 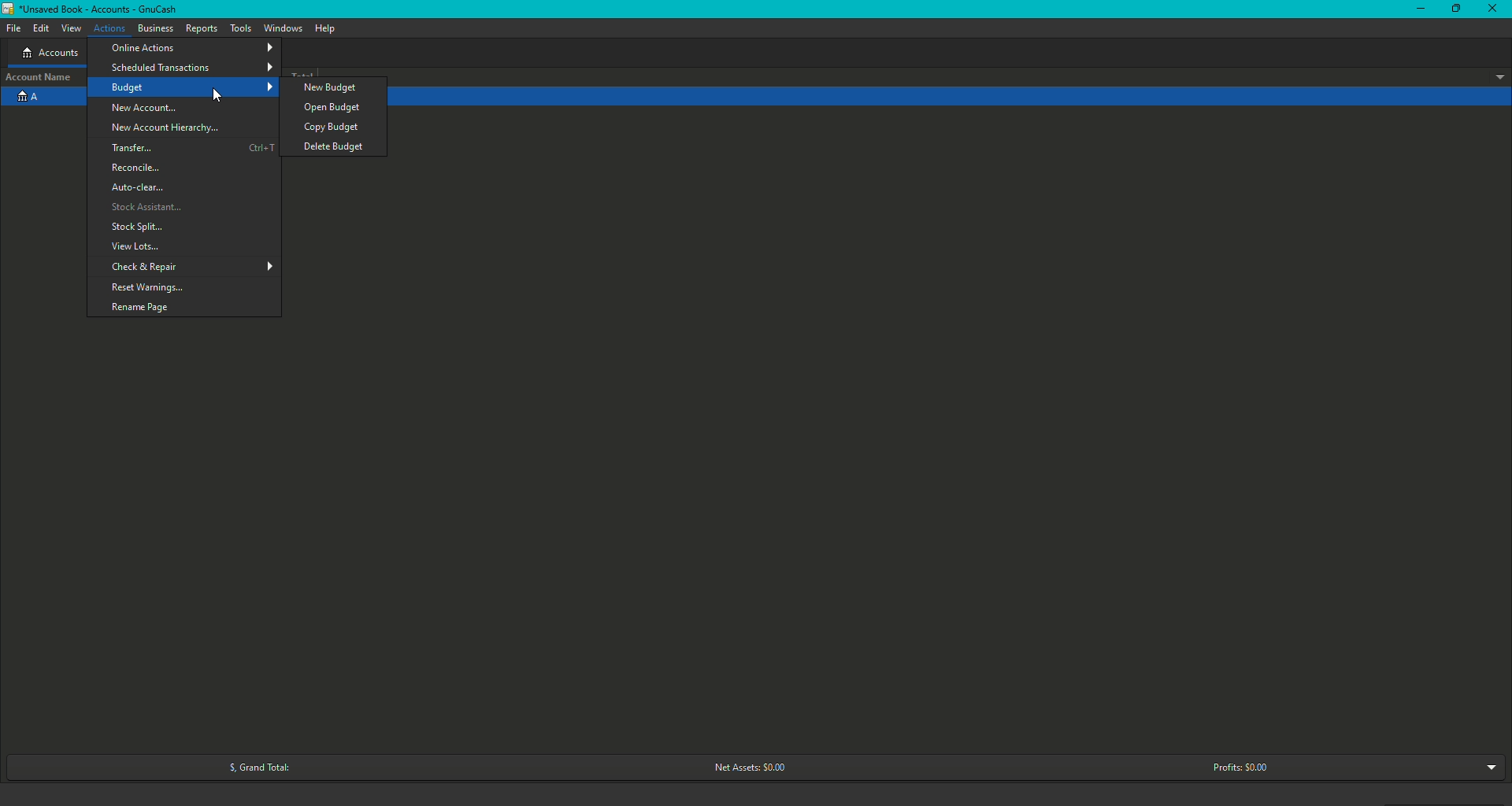 What do you see at coordinates (139, 187) in the screenshot?
I see `Auto clear` at bounding box center [139, 187].